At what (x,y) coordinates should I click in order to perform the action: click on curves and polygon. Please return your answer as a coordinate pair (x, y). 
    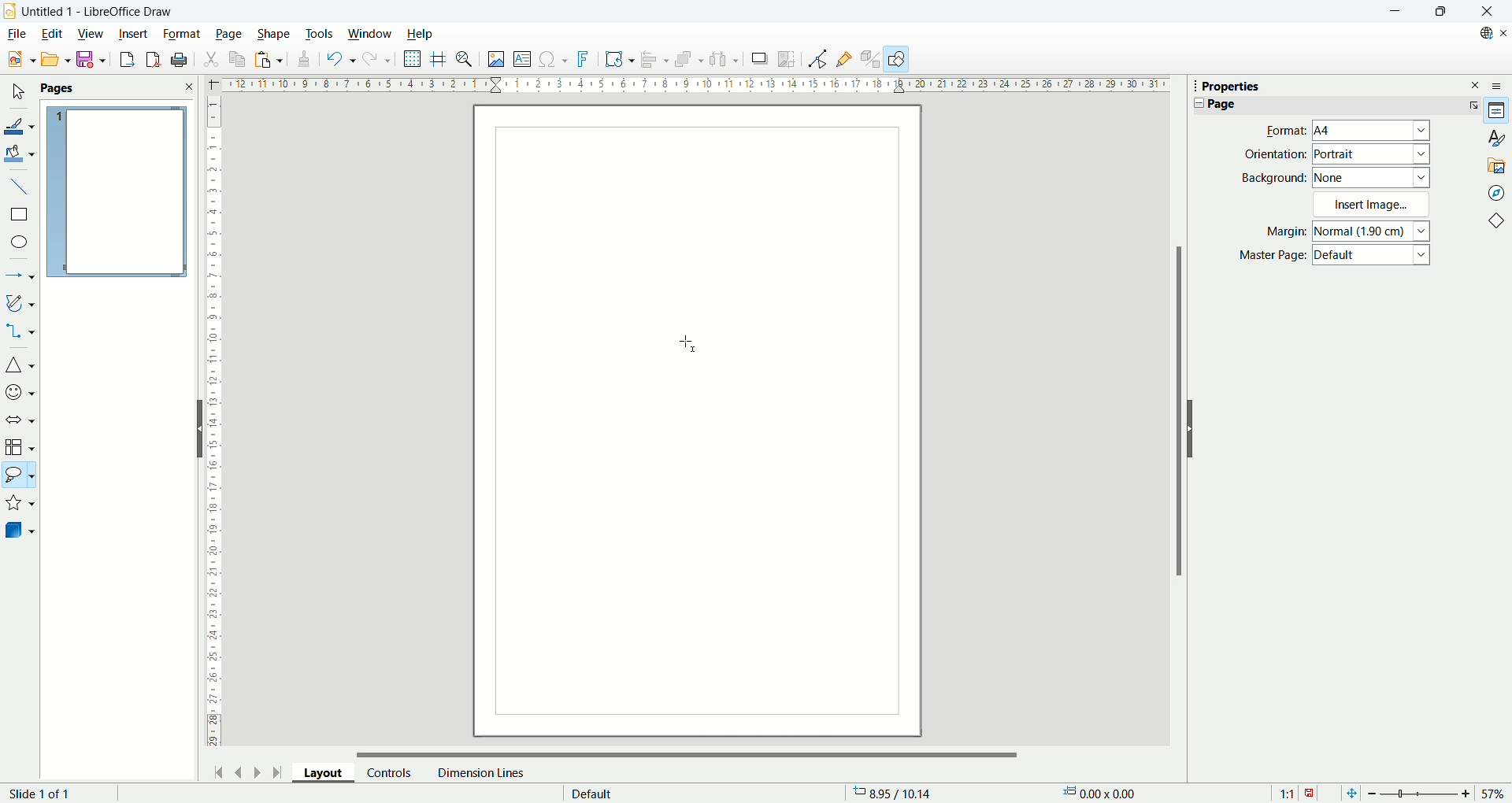
    Looking at the image, I should click on (20, 303).